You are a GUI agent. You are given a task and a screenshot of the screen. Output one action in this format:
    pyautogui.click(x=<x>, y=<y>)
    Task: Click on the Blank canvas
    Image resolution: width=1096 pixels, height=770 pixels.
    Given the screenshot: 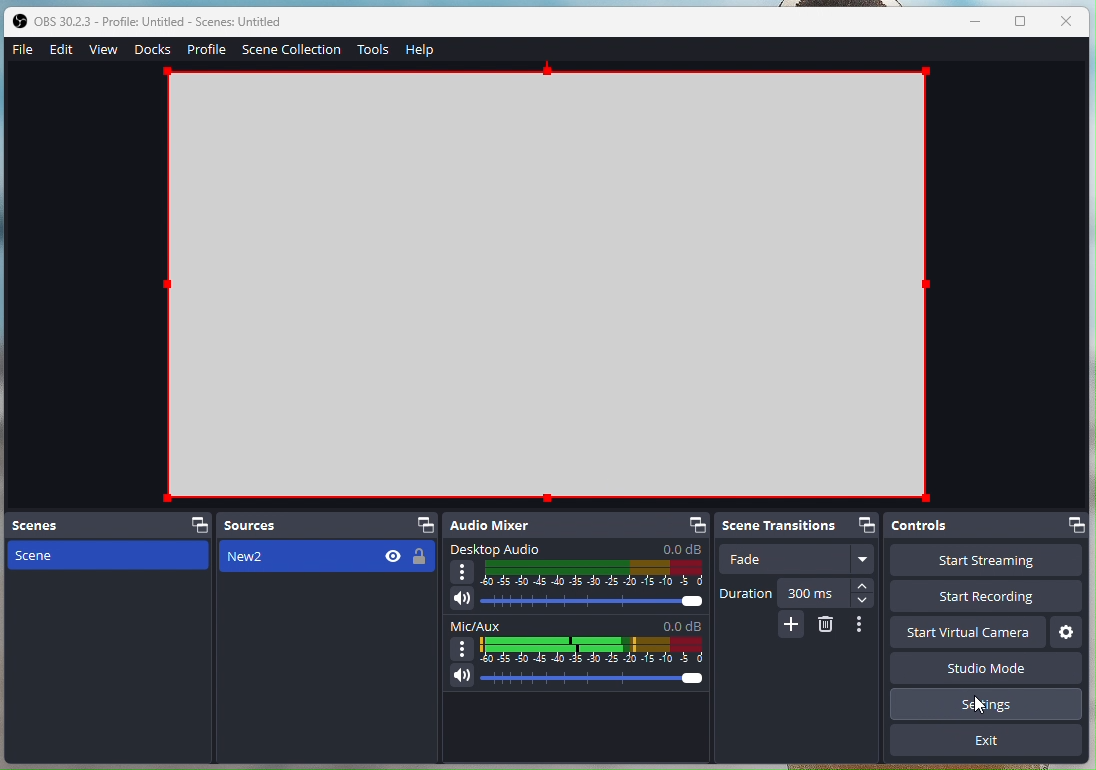 What is the action you would take?
    pyautogui.click(x=556, y=284)
    